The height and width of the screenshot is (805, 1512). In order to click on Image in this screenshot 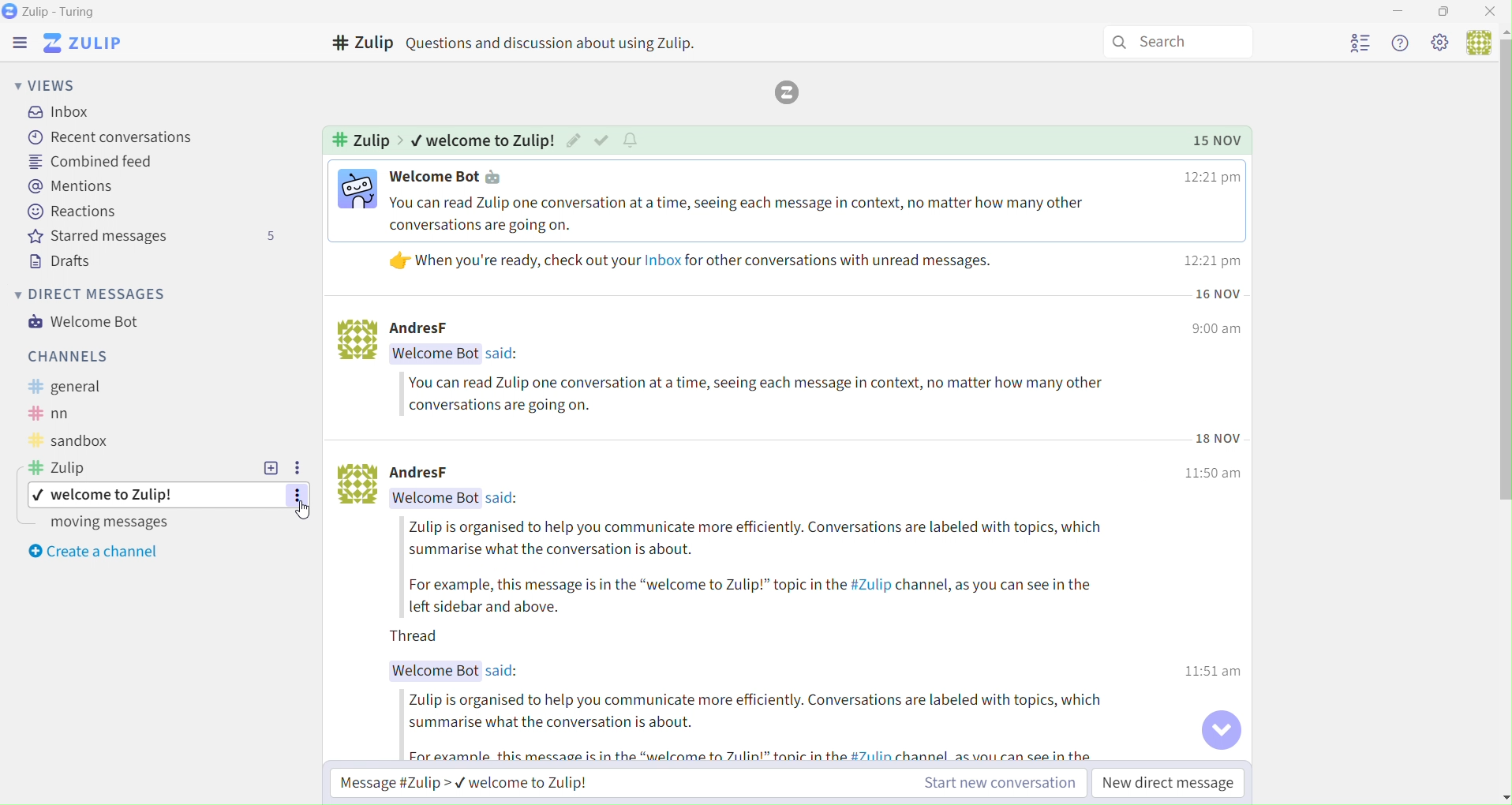, I will do `click(357, 188)`.